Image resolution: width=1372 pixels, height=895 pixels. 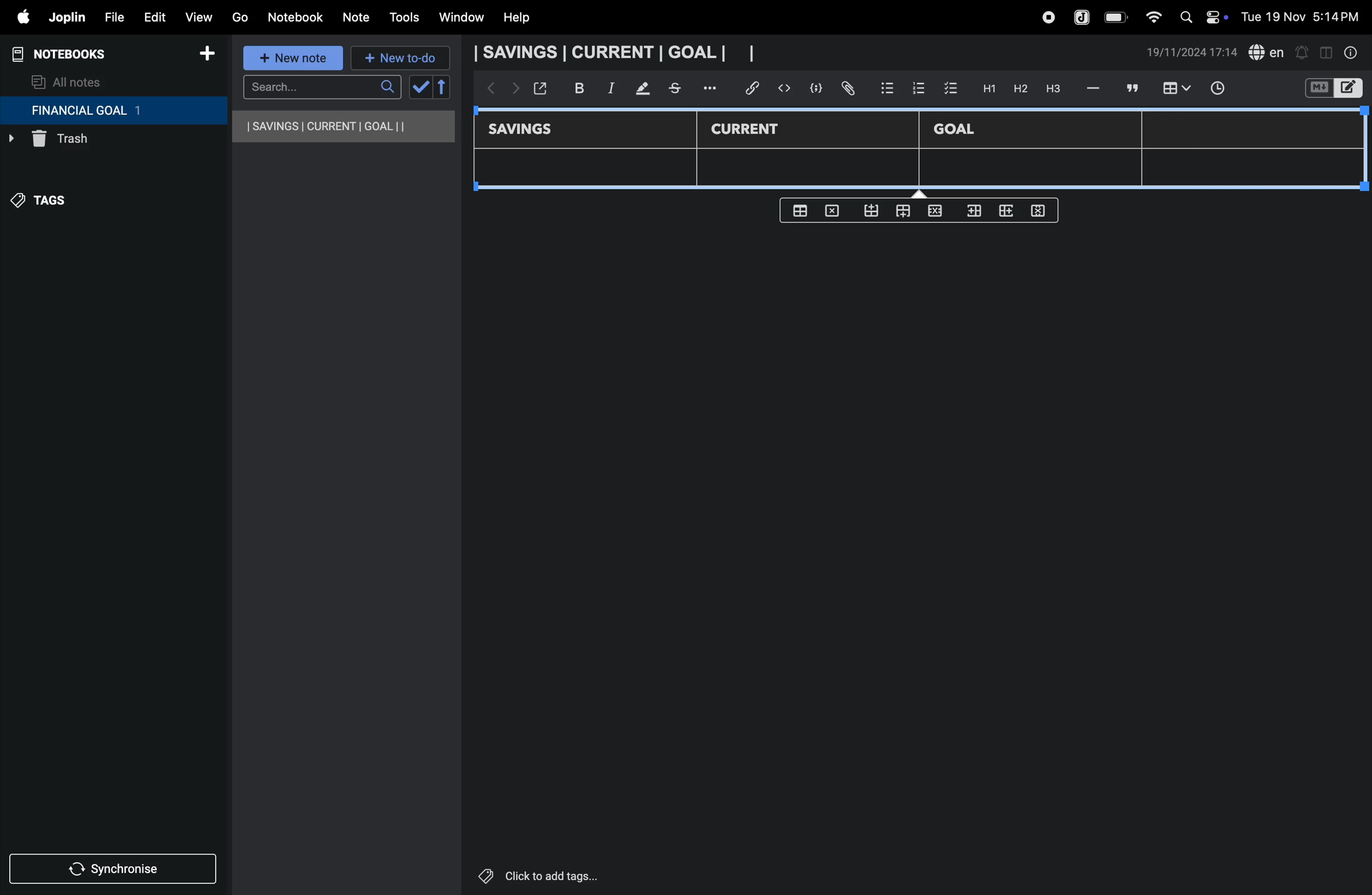 I want to click on time, so click(x=1225, y=89).